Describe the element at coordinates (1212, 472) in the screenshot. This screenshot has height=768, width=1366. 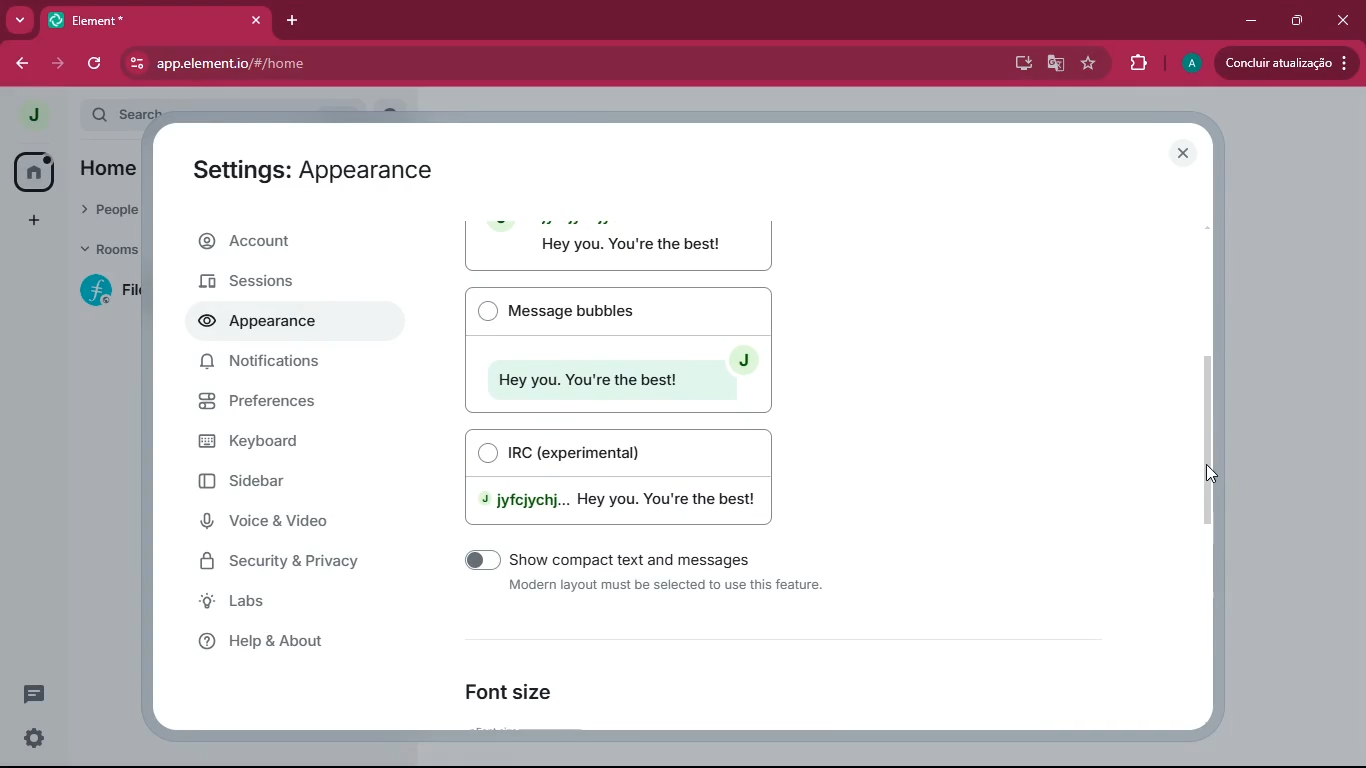
I see `Cursor` at that location.